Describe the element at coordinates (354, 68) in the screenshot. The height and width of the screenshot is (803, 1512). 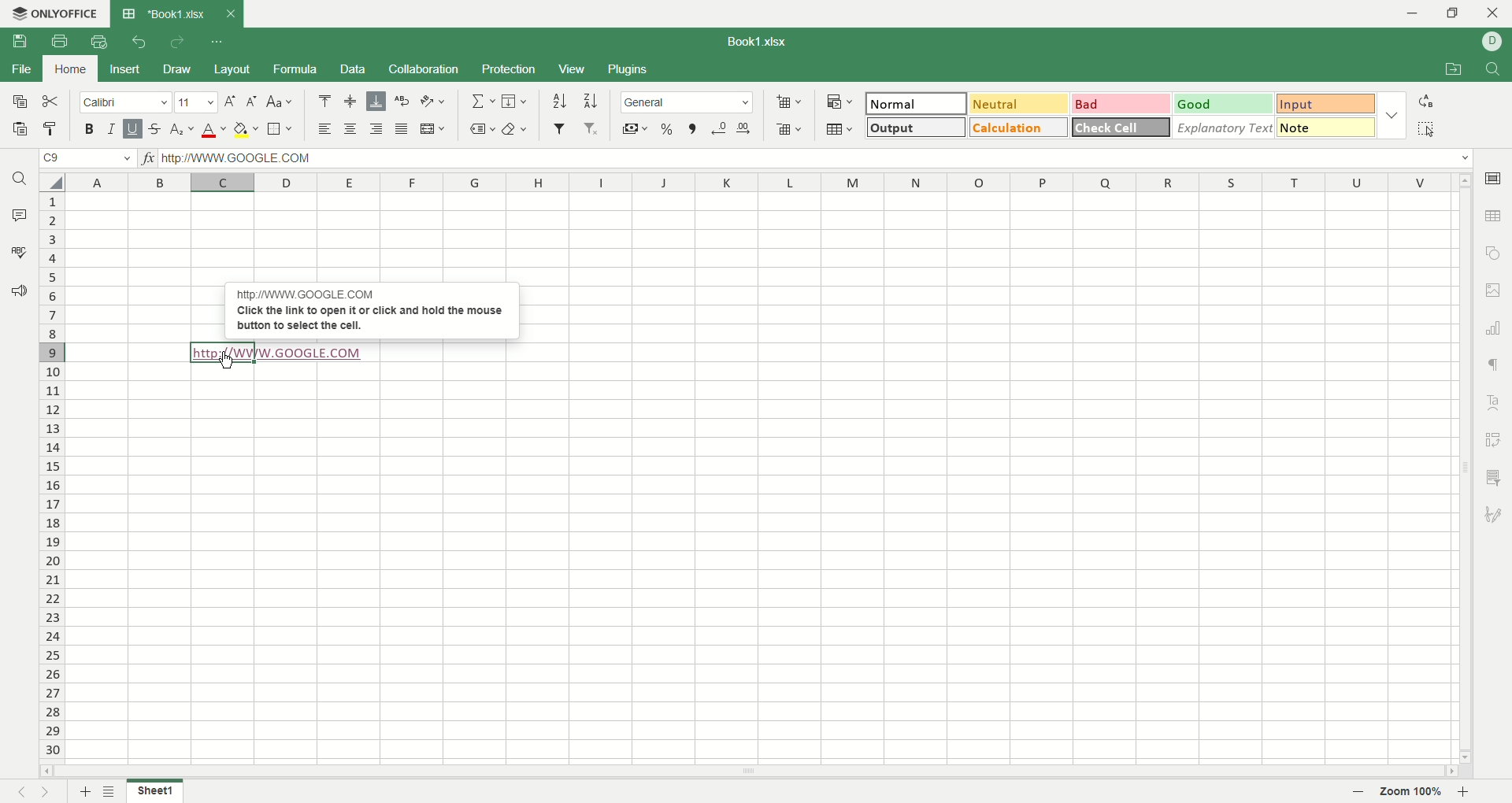
I see `data` at that location.